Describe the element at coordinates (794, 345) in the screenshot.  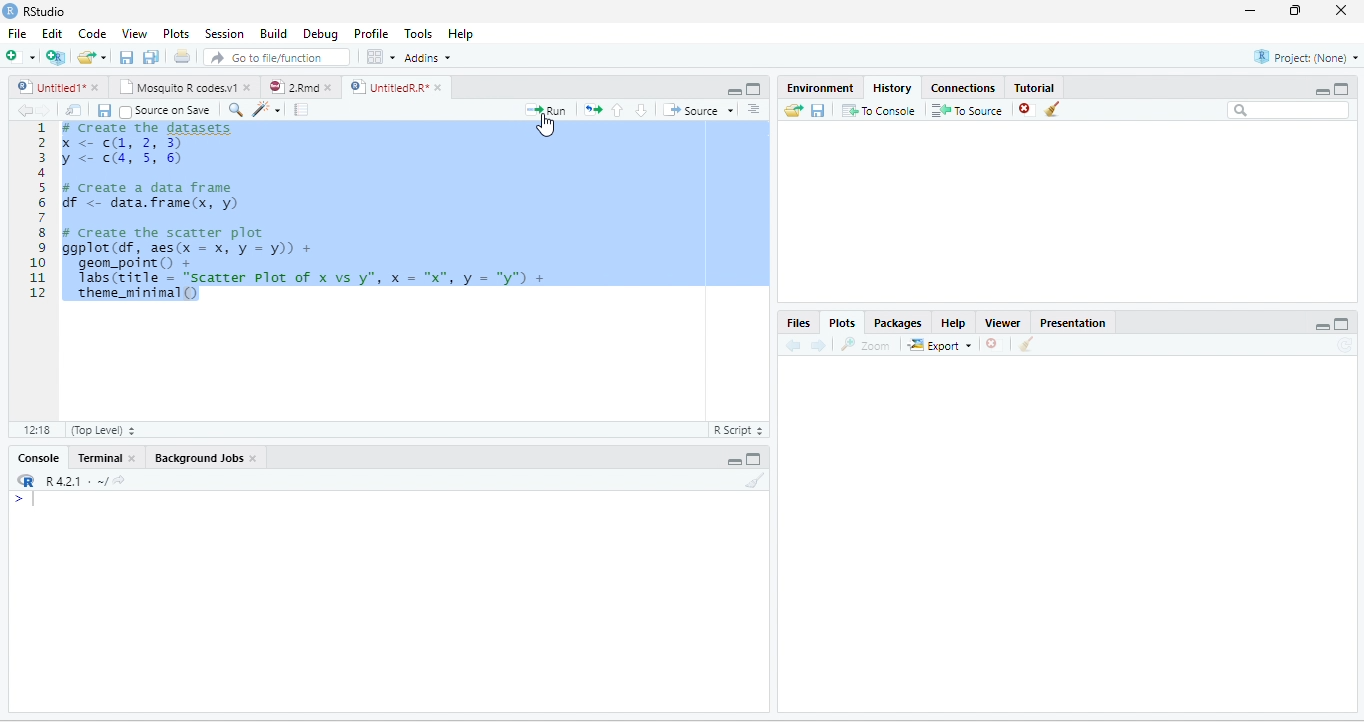
I see `Previous plot` at that location.